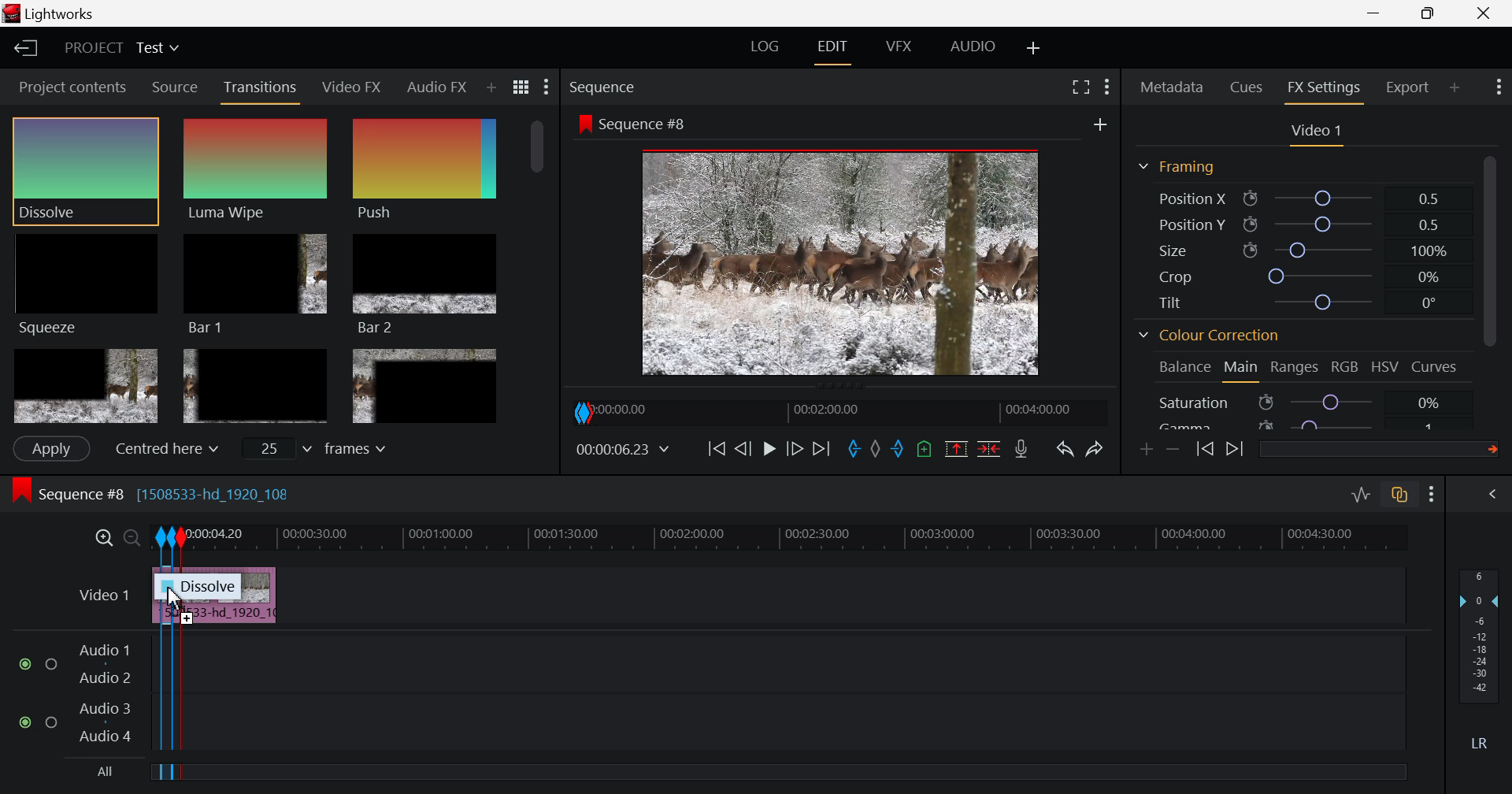 The image size is (1512, 794). I want to click on Video Paused, so click(769, 452).